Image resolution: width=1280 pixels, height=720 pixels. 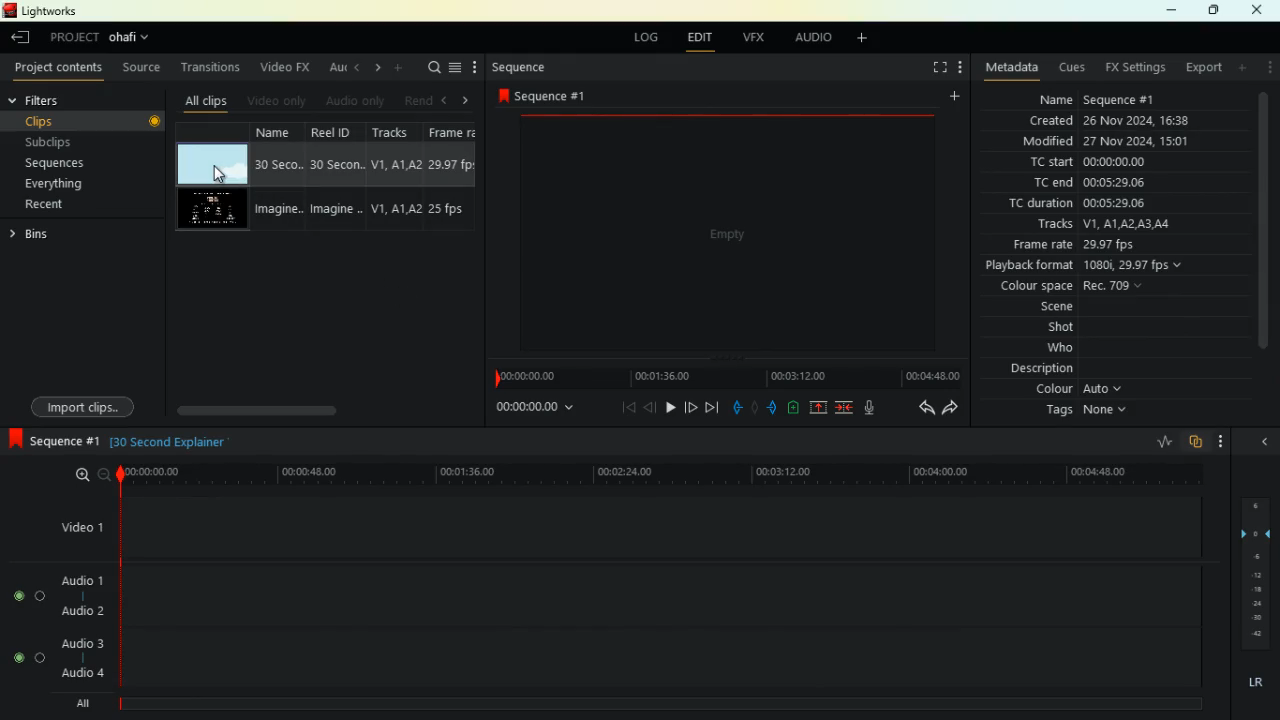 What do you see at coordinates (458, 176) in the screenshot?
I see `fps` at bounding box center [458, 176].